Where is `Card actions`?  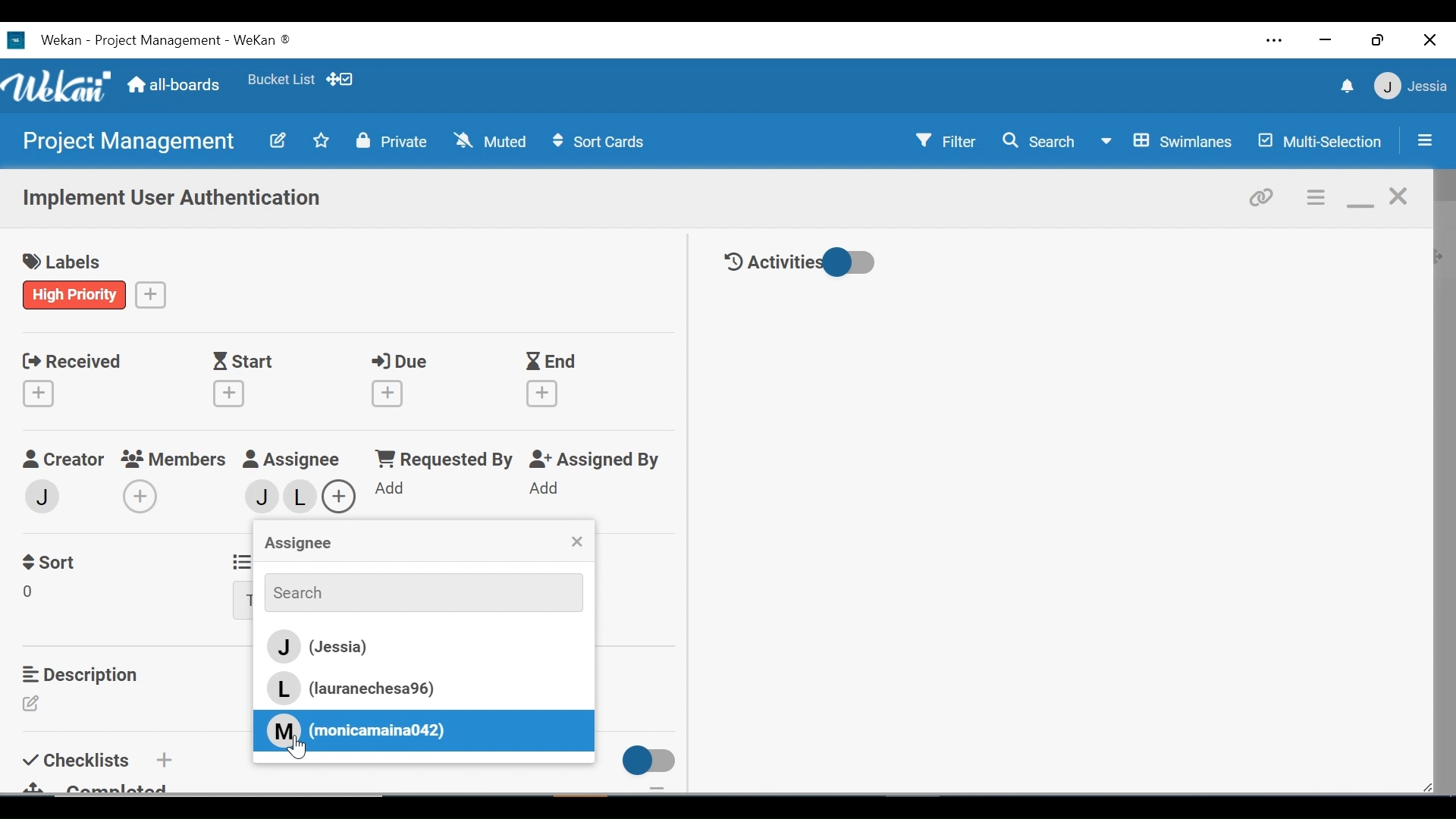
Card actions is located at coordinates (1317, 198).